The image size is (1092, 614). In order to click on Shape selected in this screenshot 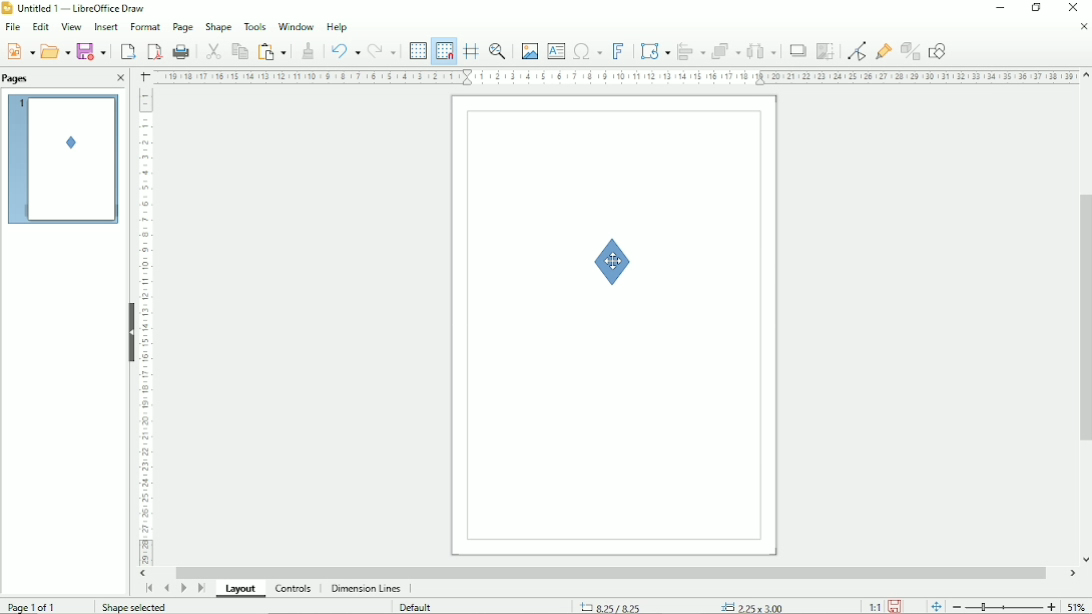, I will do `click(131, 606)`.